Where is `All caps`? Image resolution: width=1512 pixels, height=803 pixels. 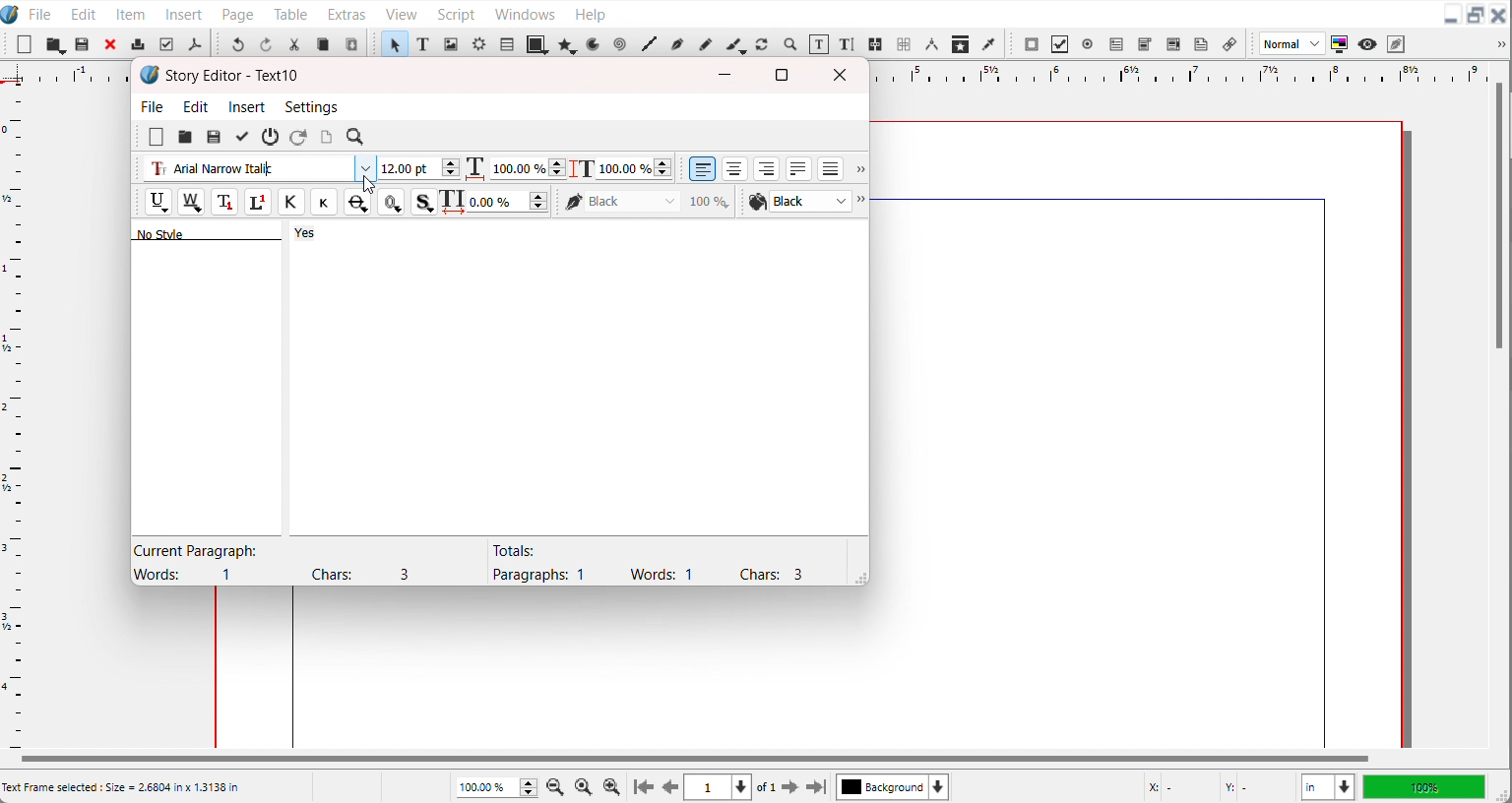 All caps is located at coordinates (290, 202).